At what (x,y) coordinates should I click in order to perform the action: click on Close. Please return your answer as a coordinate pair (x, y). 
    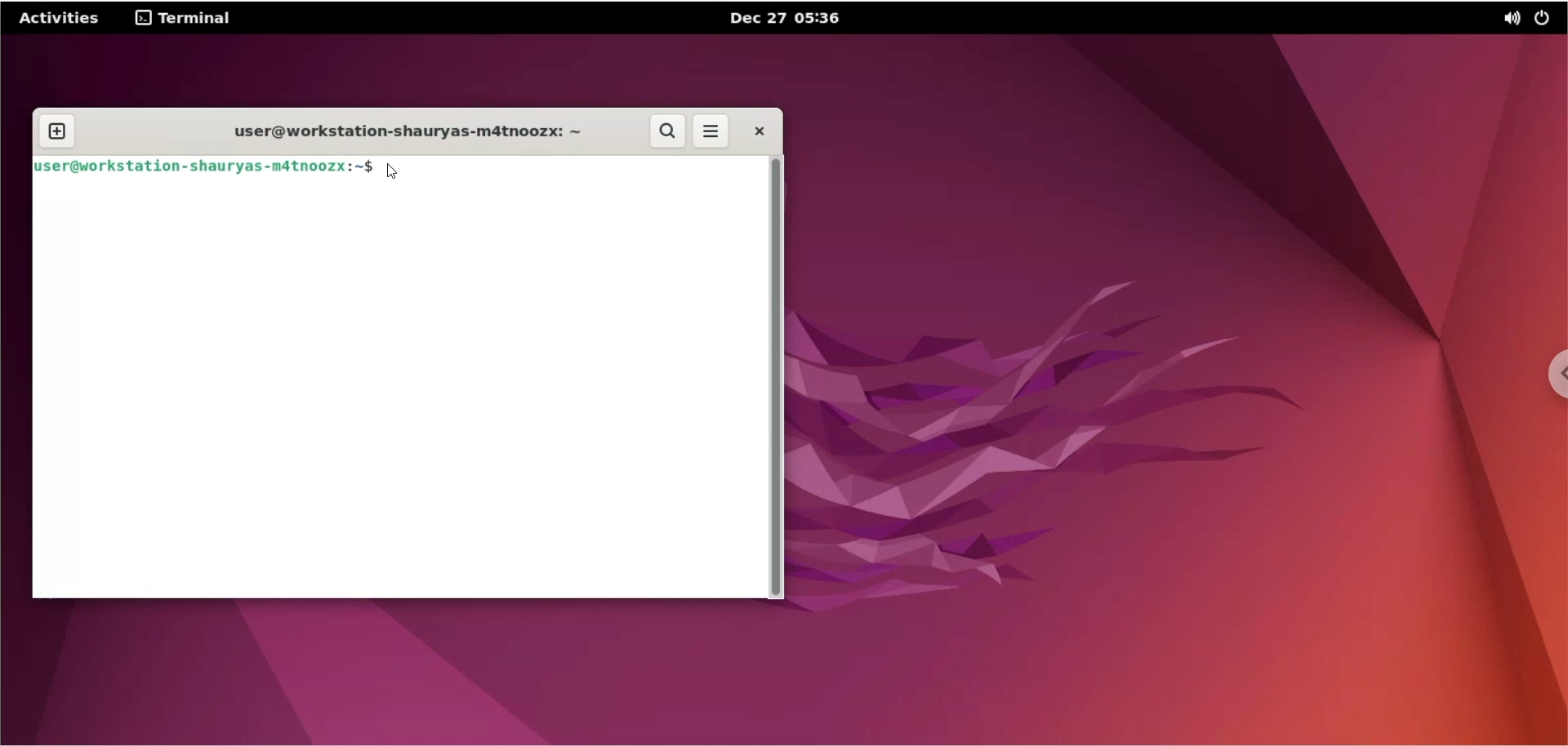
    Looking at the image, I should click on (758, 131).